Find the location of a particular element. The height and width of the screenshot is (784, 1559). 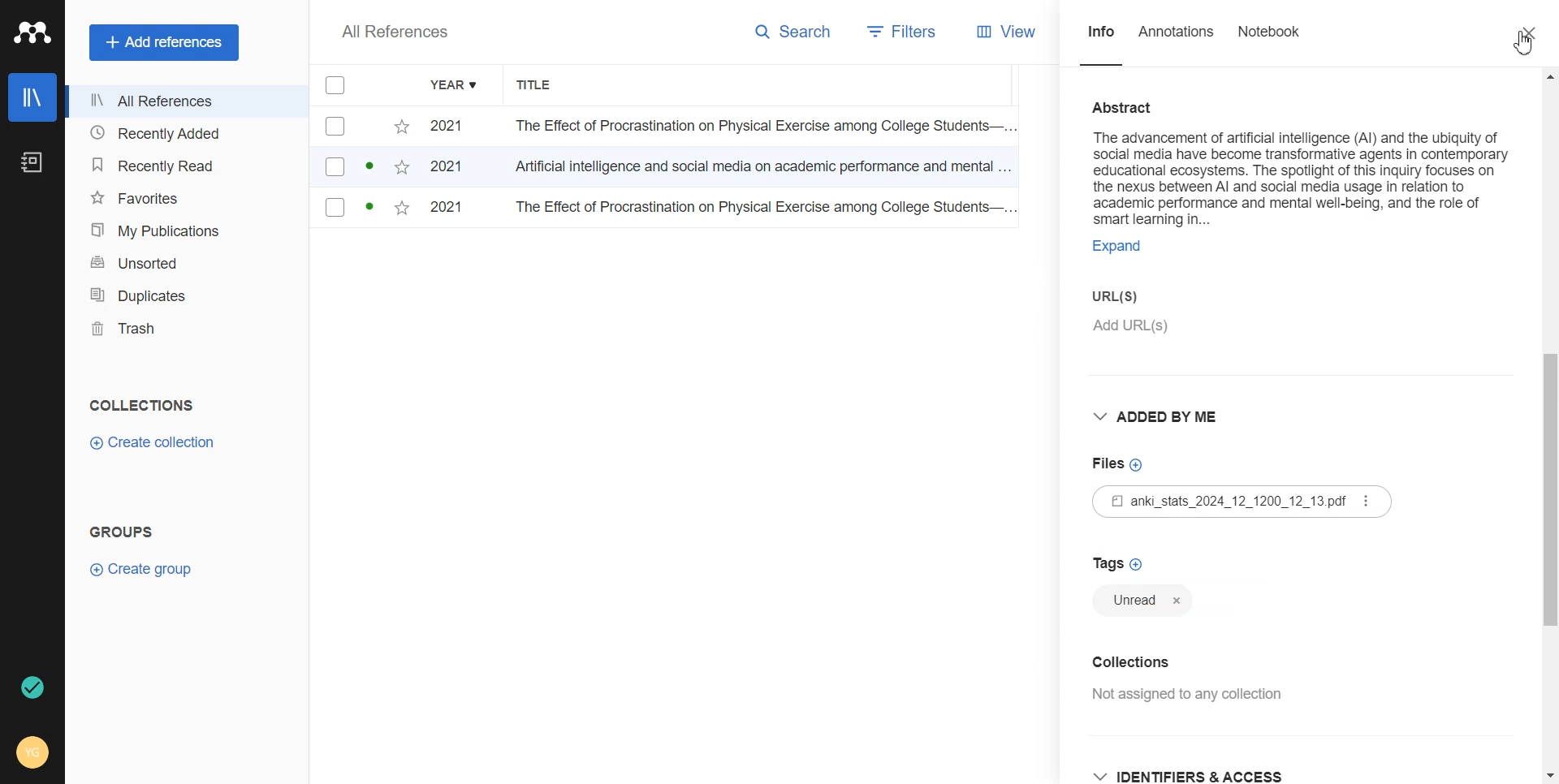

Enter URLS is located at coordinates (1134, 293).